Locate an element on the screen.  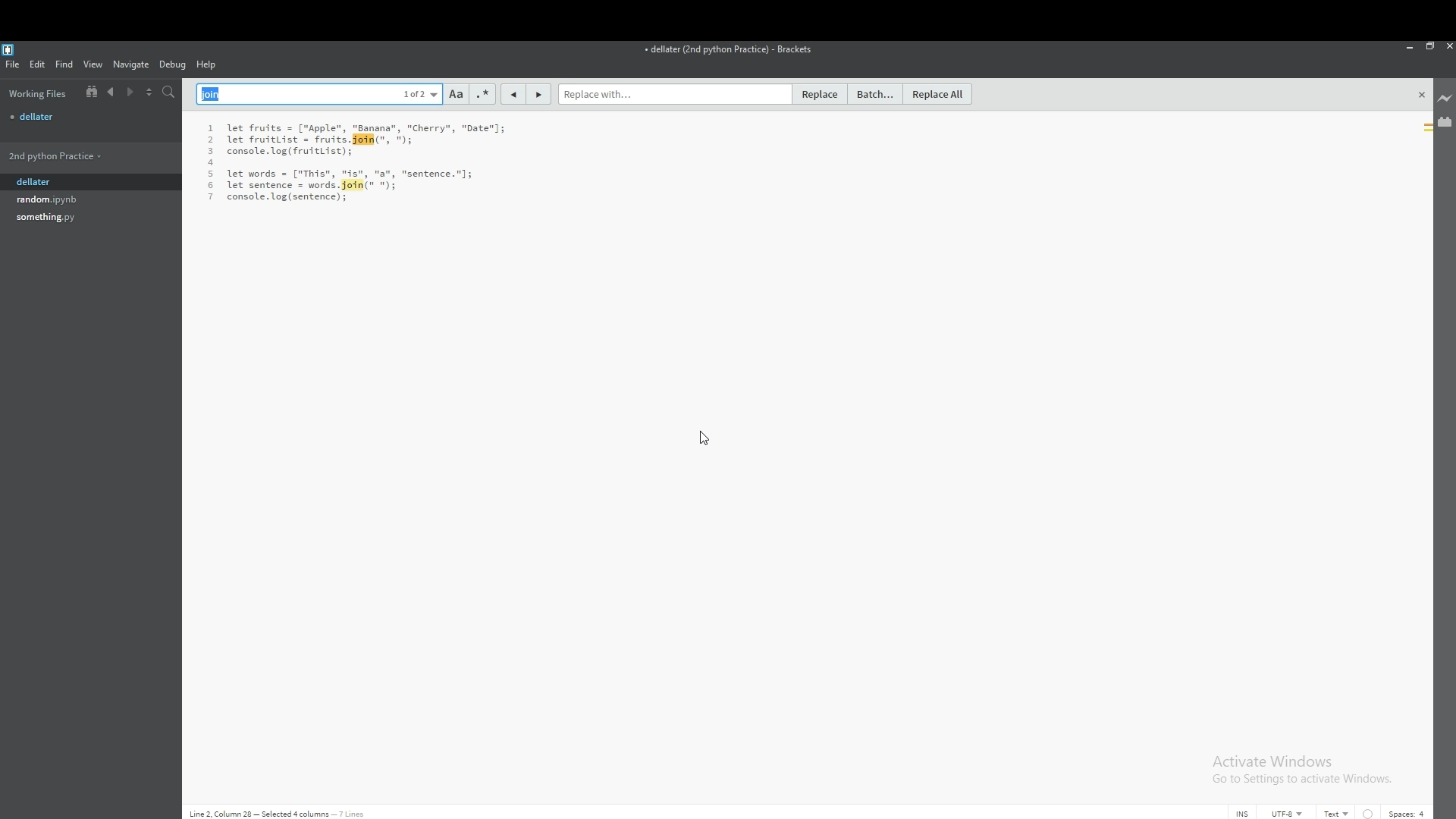
navigate is located at coordinates (132, 64).